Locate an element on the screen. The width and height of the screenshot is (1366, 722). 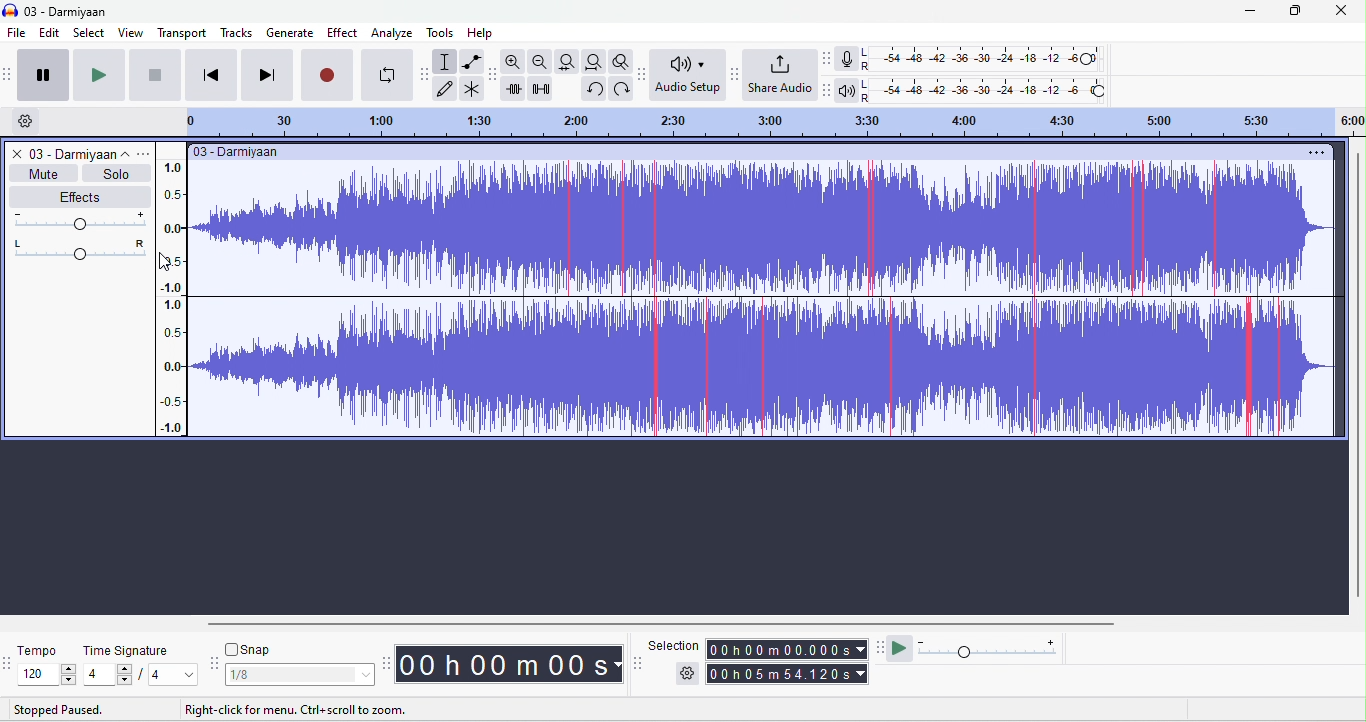
volume is located at coordinates (81, 219).